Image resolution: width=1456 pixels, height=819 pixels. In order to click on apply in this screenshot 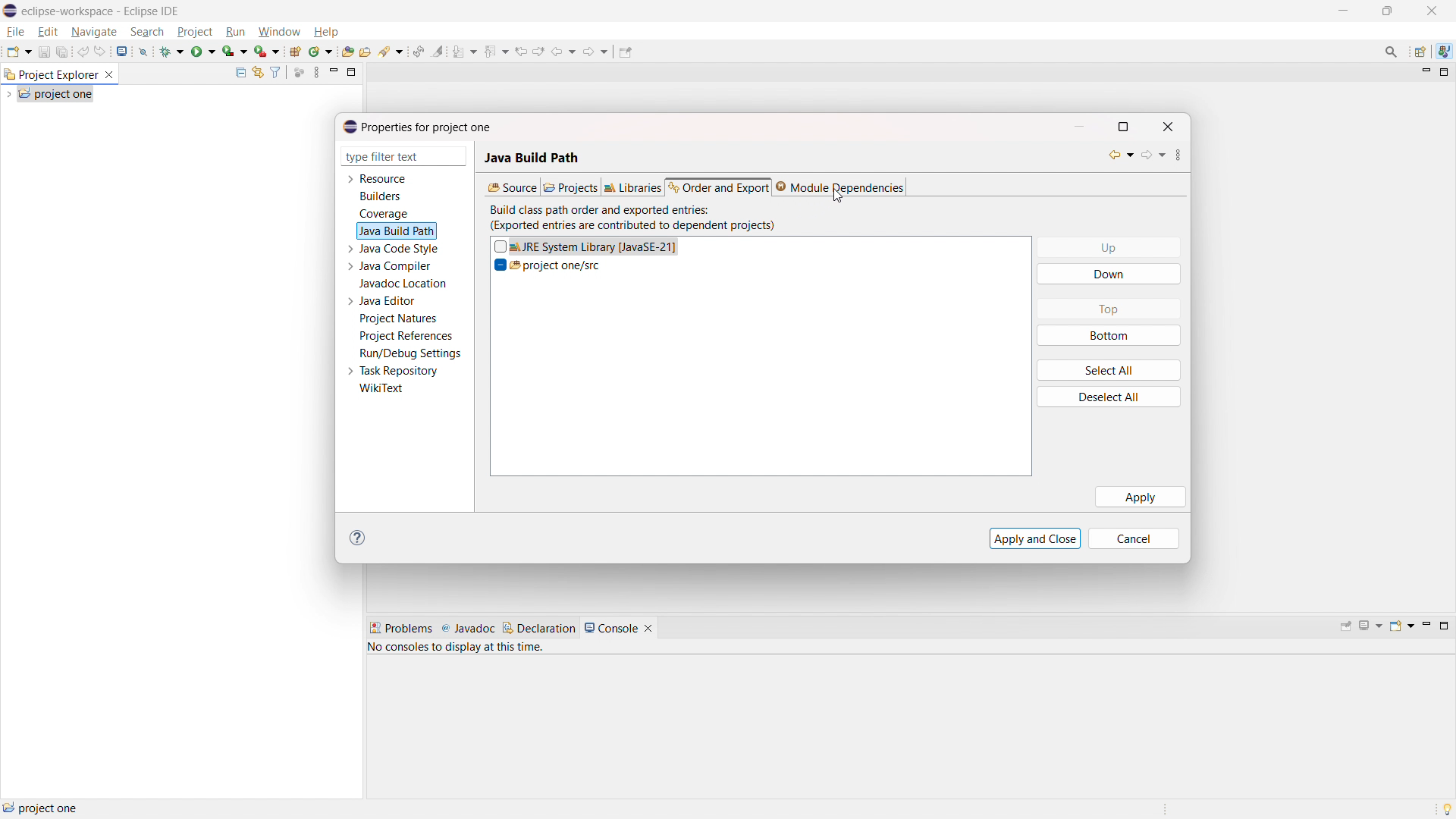, I will do `click(1141, 497)`.